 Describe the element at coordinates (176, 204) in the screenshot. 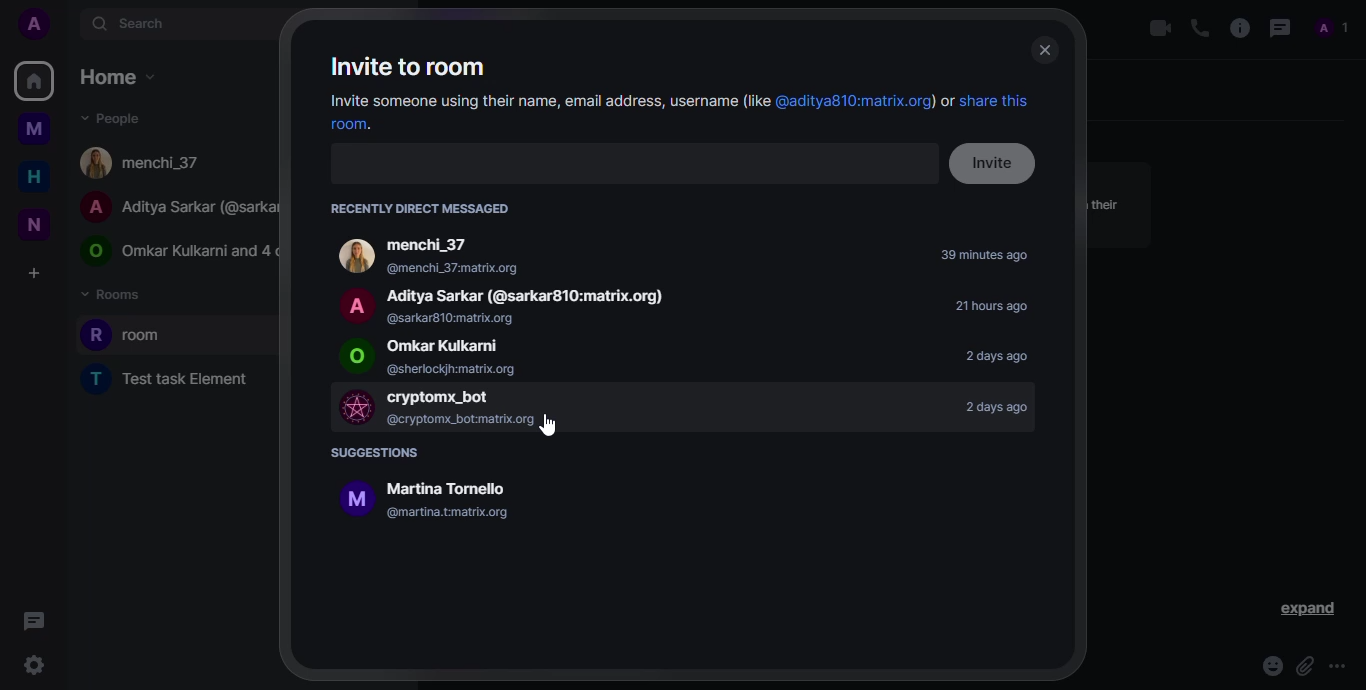

I see `people` at that location.